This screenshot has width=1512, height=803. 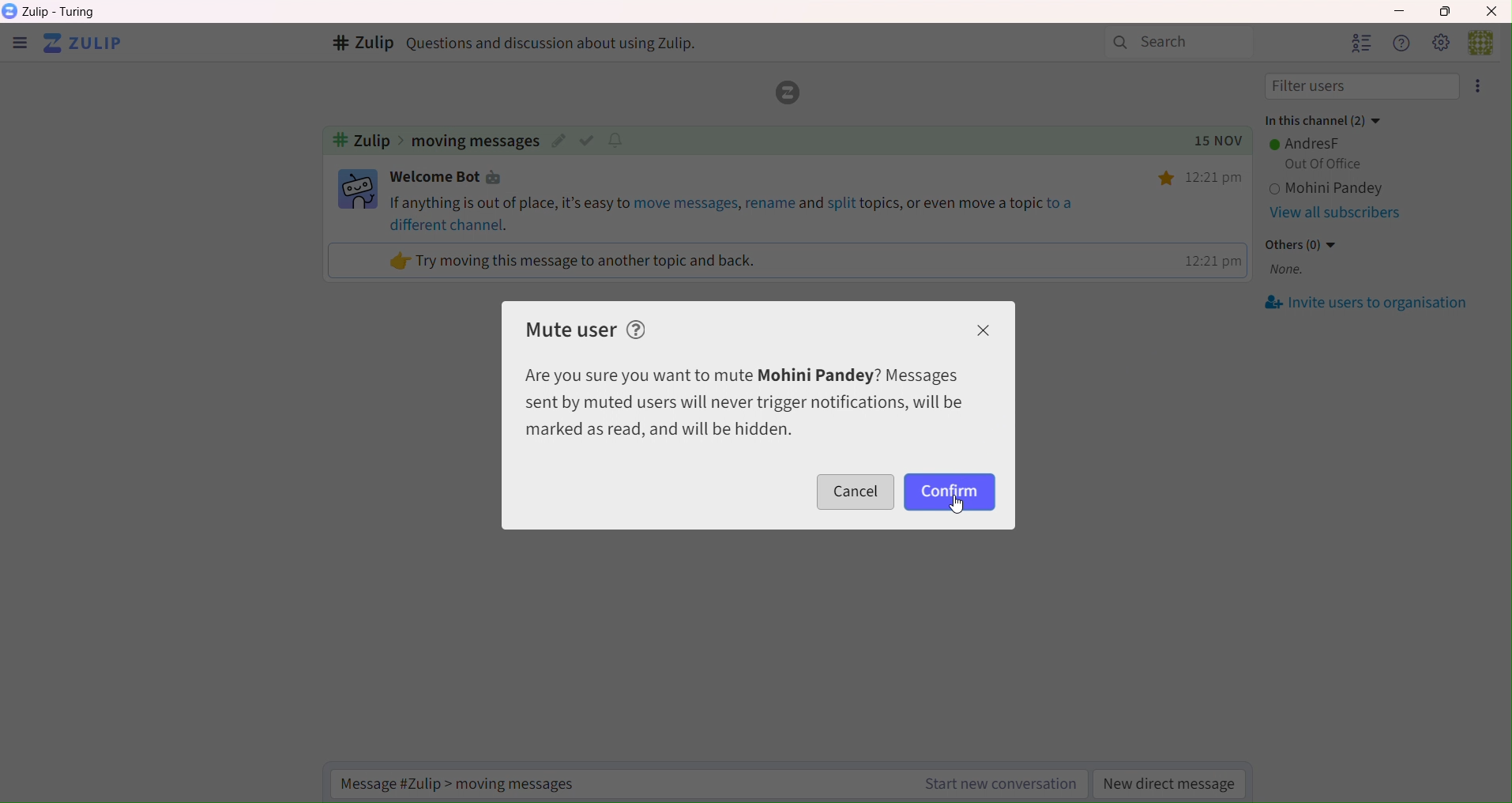 What do you see at coordinates (857, 492) in the screenshot?
I see `cancel` at bounding box center [857, 492].